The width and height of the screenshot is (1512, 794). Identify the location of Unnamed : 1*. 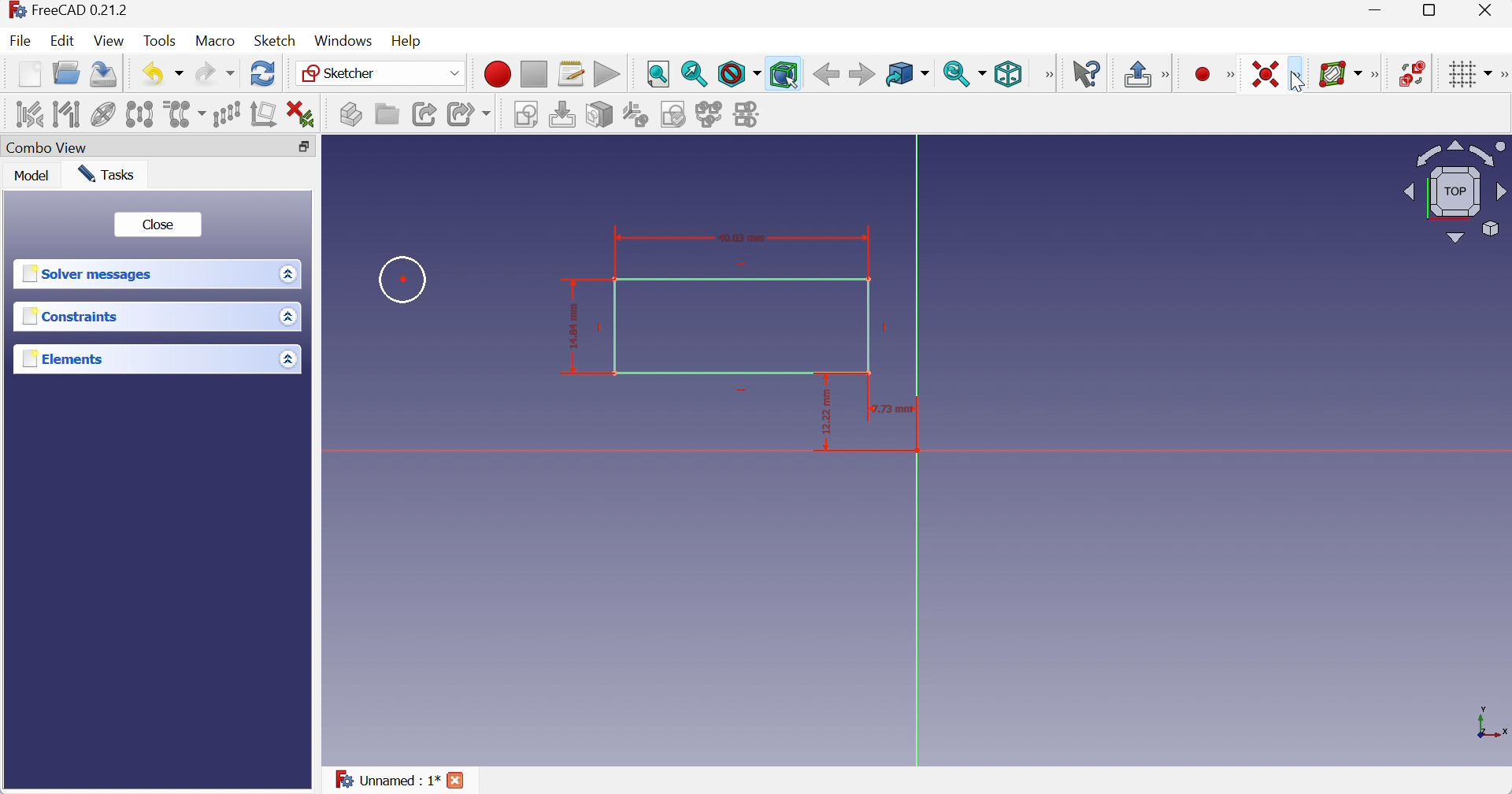
(387, 777).